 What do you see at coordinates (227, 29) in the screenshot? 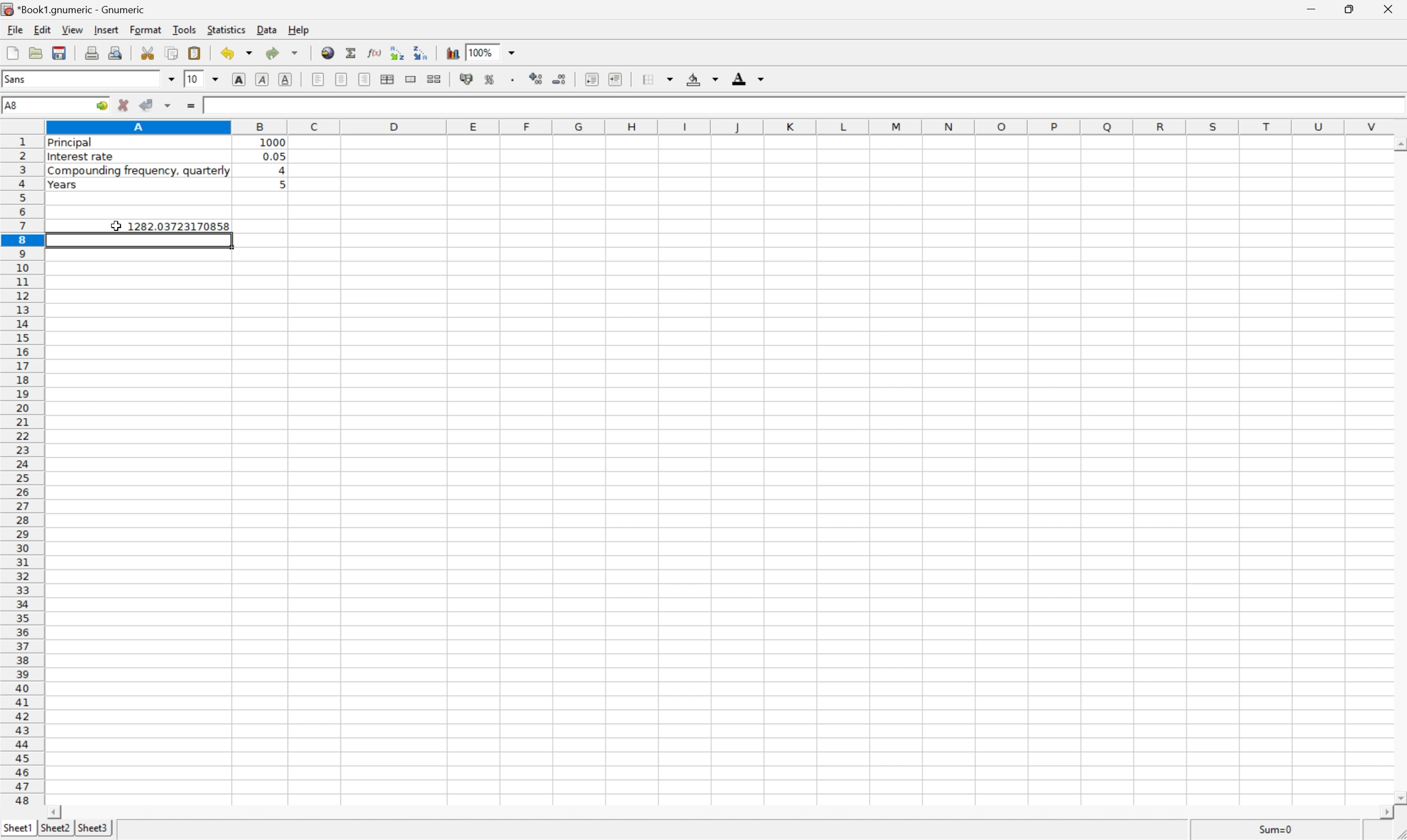
I see `statistics` at bounding box center [227, 29].